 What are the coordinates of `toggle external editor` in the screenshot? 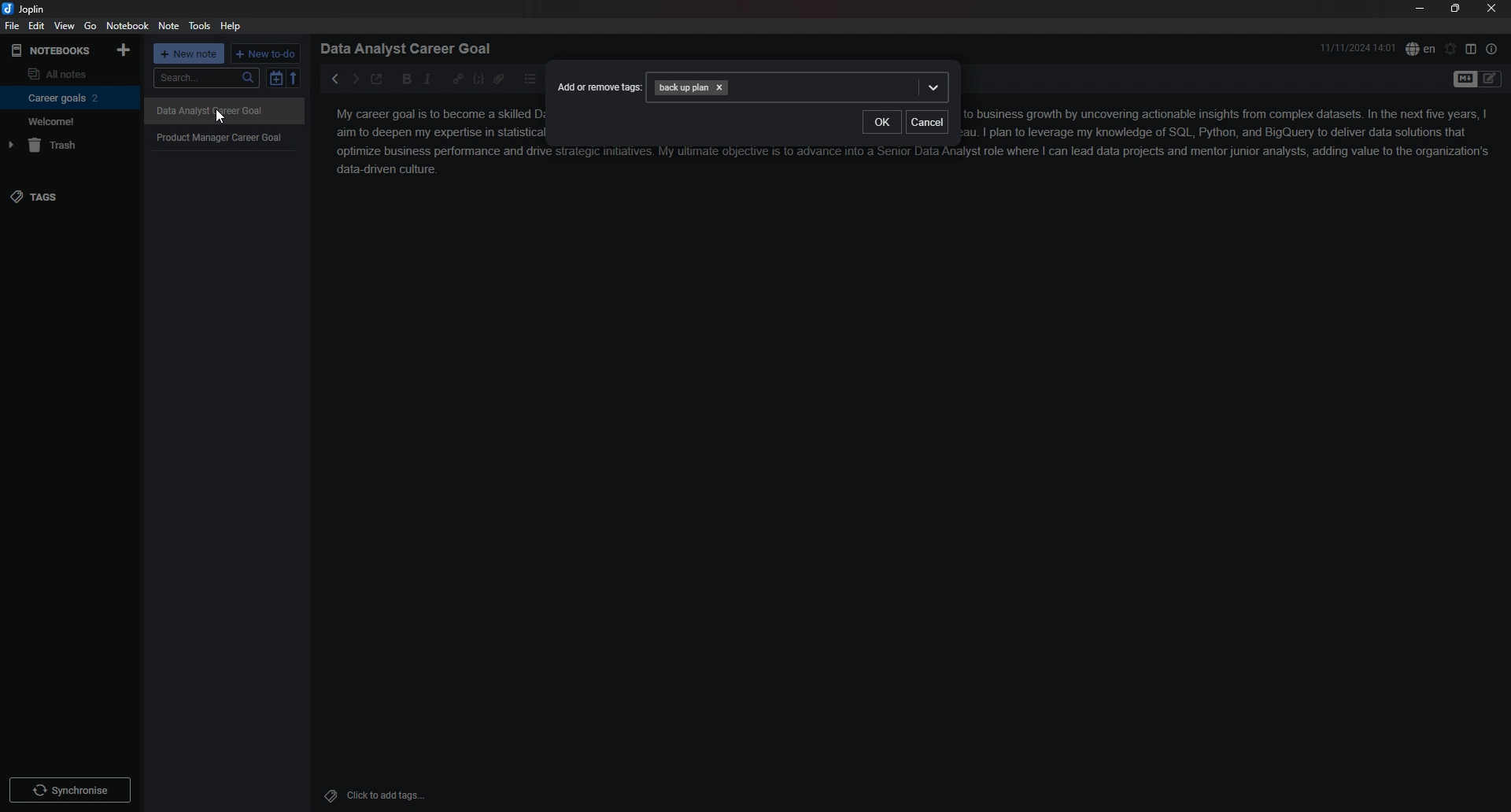 It's located at (378, 79).